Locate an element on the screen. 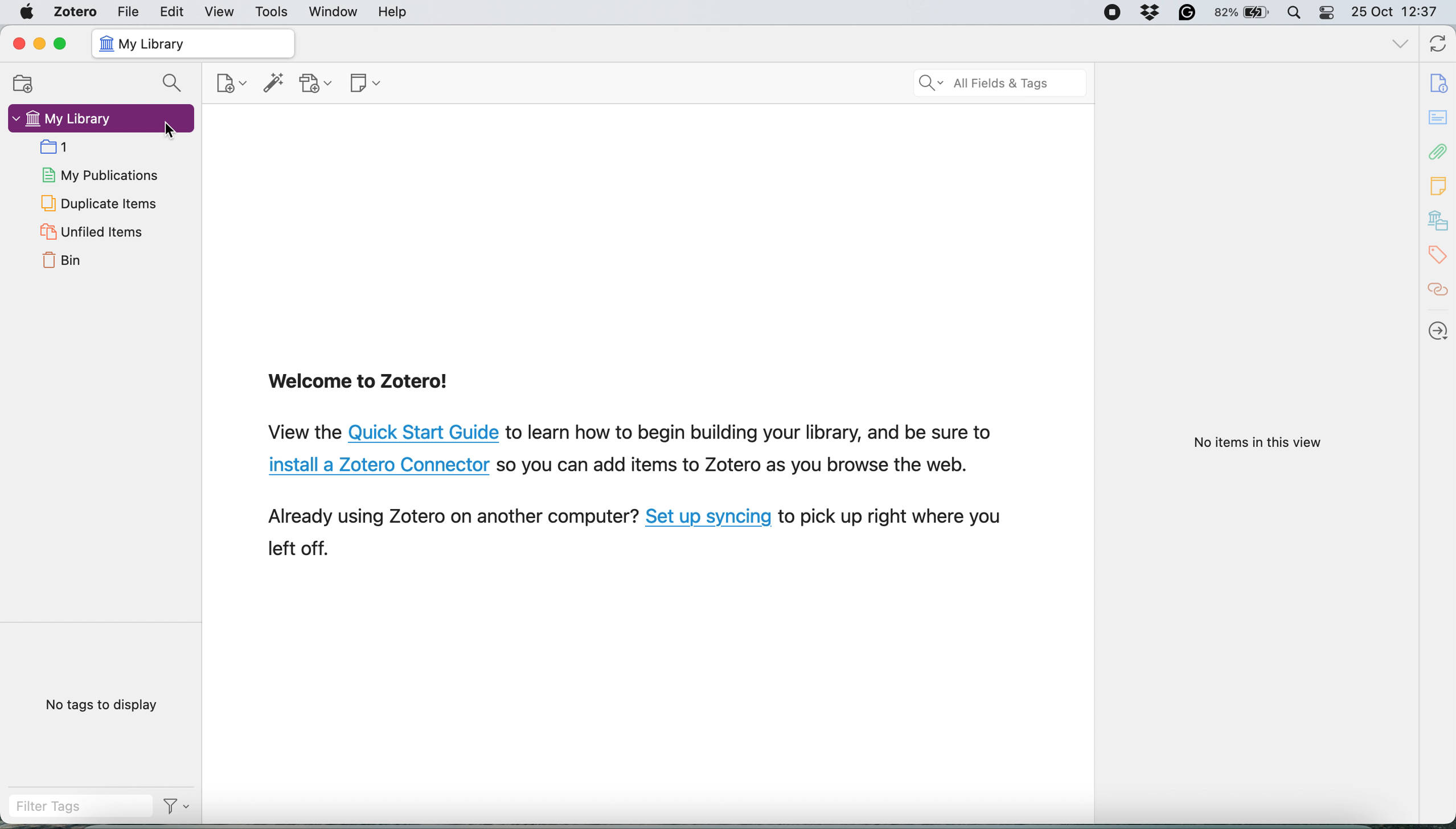 The image size is (1456, 829). Filter Options is located at coordinates (179, 809).